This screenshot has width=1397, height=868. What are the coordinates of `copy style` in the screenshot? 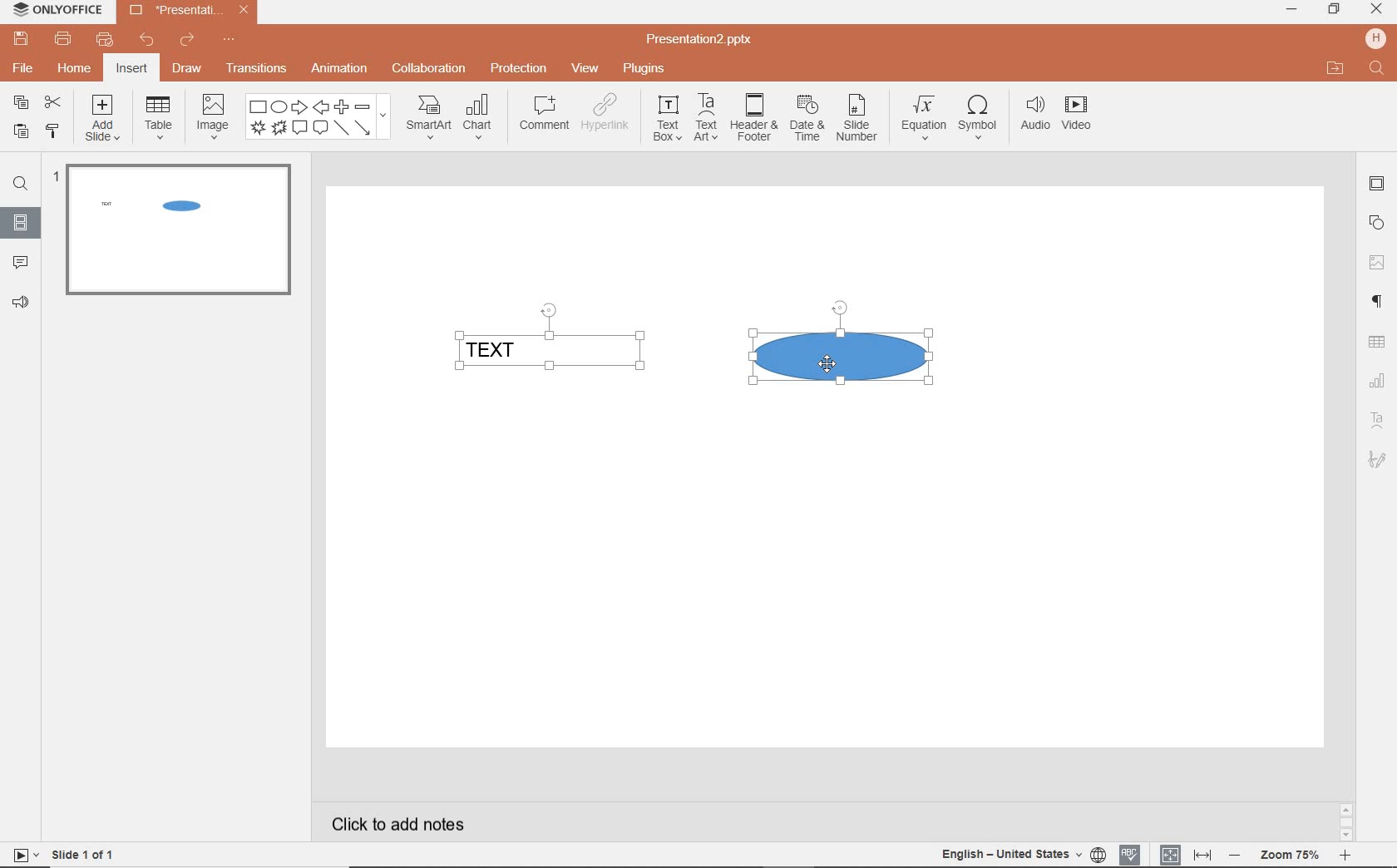 It's located at (52, 131).